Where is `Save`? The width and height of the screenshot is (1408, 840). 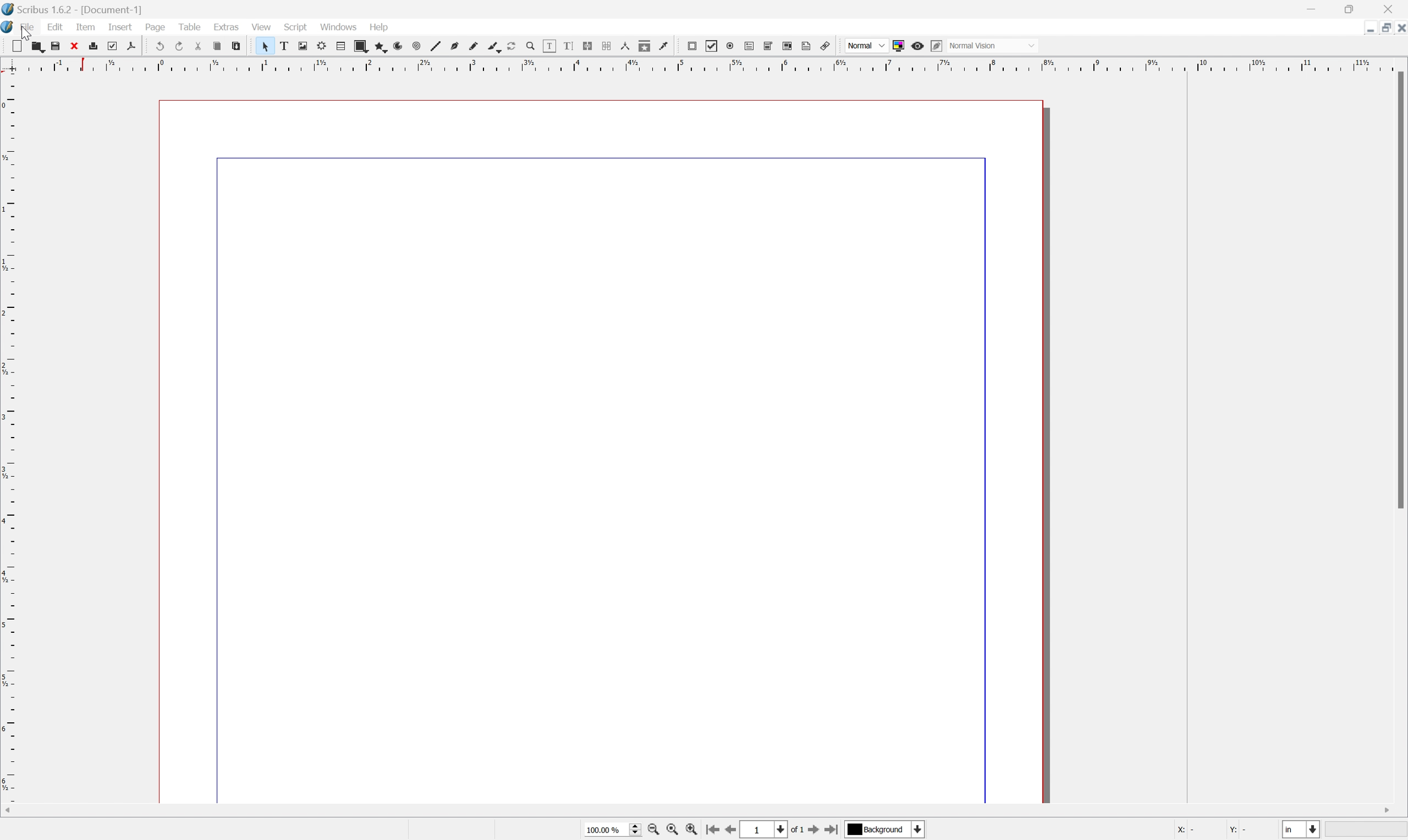
Save is located at coordinates (59, 46).